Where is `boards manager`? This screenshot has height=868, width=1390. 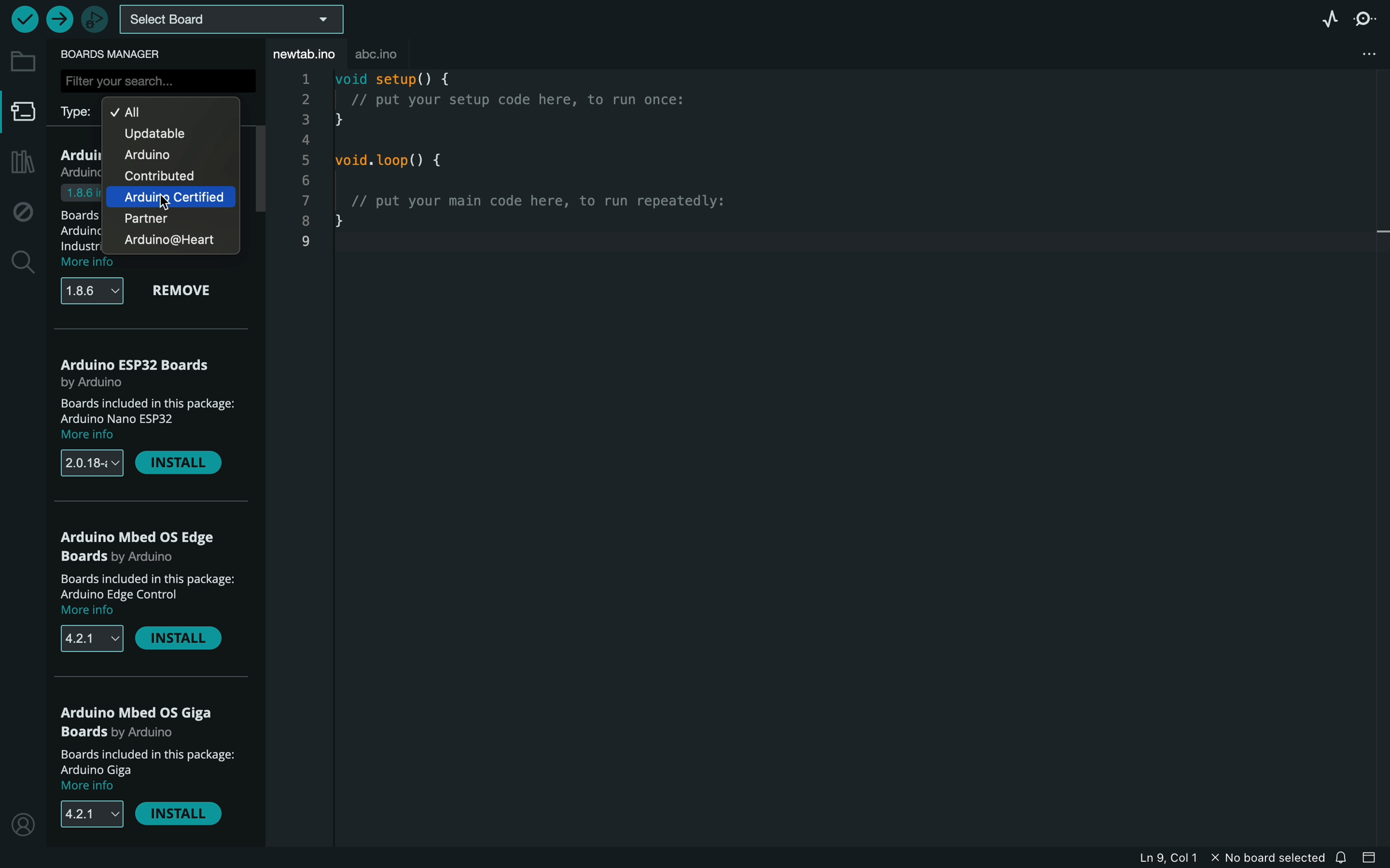
boards manager is located at coordinates (114, 55).